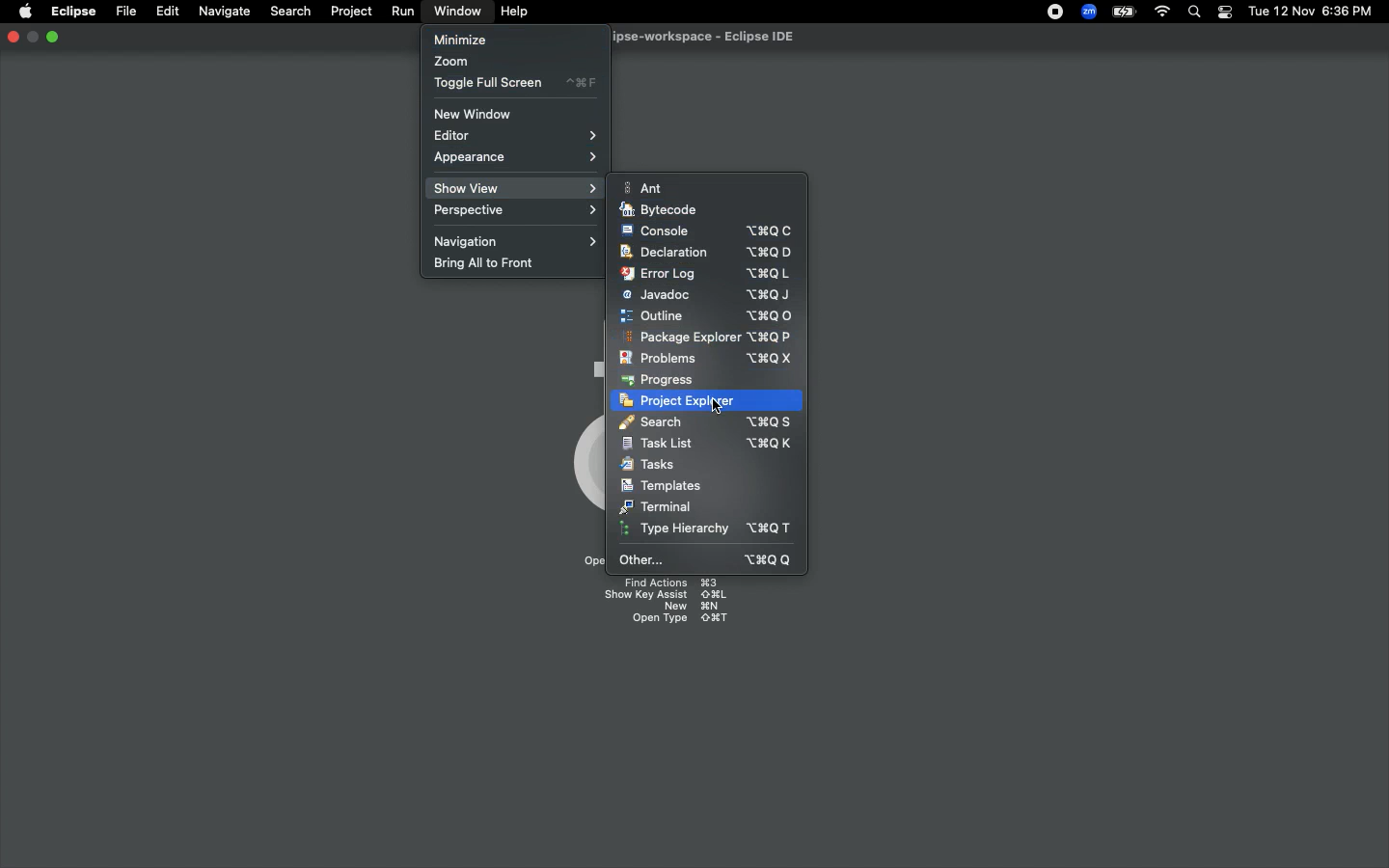  What do you see at coordinates (516, 12) in the screenshot?
I see `Help` at bounding box center [516, 12].